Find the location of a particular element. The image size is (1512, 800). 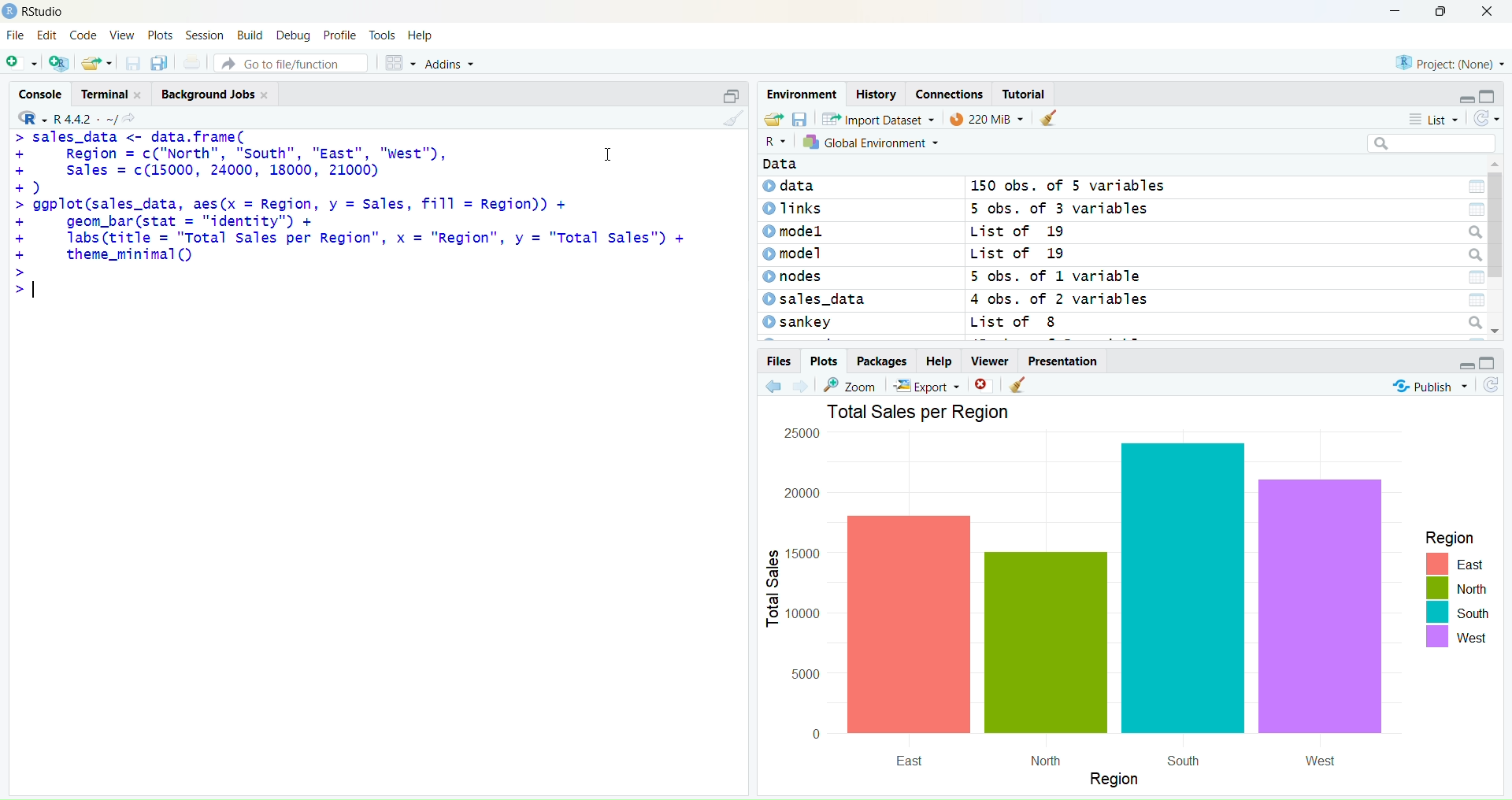

next is located at coordinates (806, 385).